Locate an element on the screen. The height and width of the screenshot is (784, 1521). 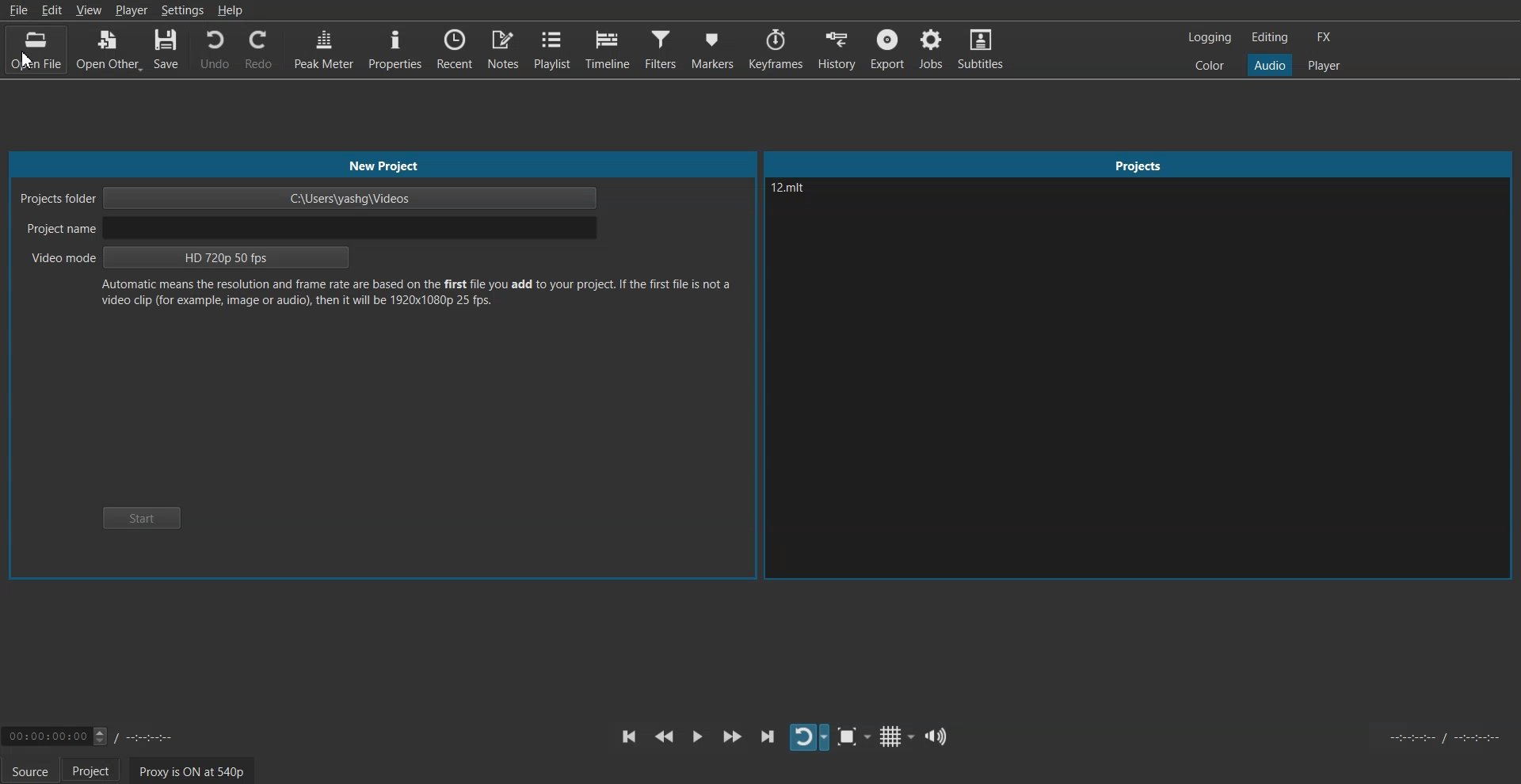
Player is located at coordinates (1324, 66).